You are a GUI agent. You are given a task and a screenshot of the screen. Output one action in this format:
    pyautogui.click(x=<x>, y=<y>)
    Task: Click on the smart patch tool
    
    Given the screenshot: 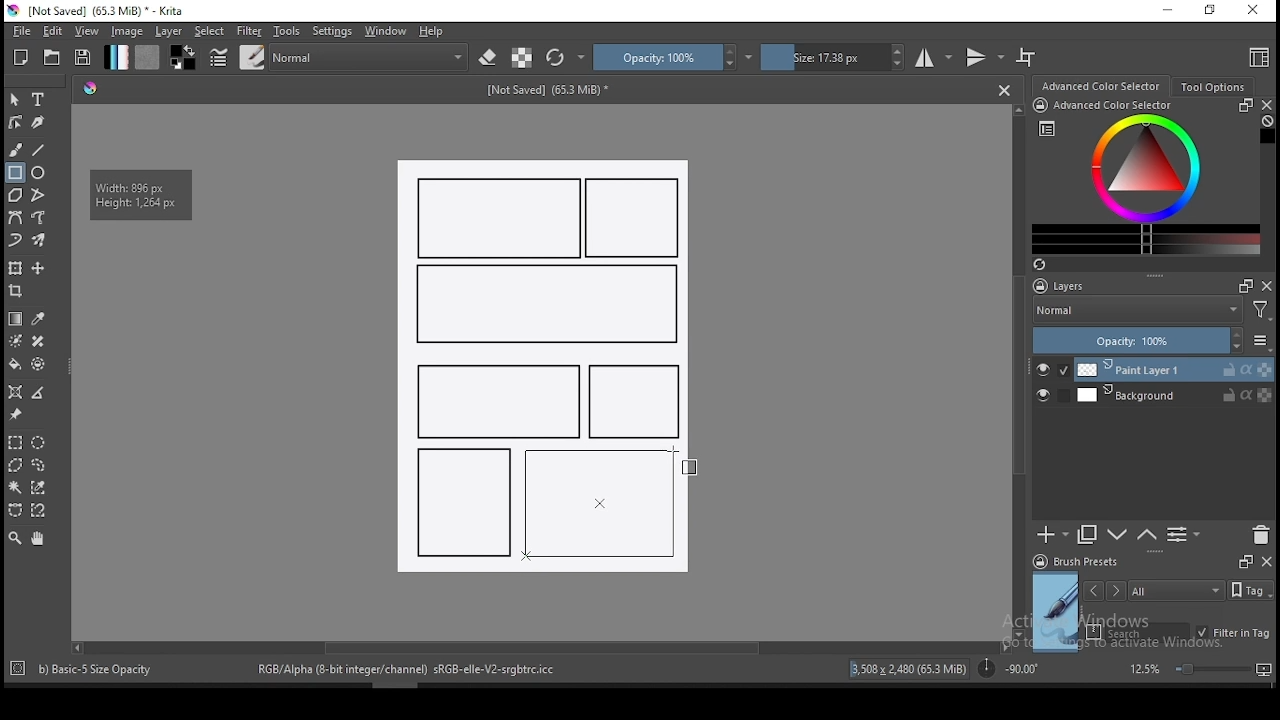 What is the action you would take?
    pyautogui.click(x=38, y=341)
    